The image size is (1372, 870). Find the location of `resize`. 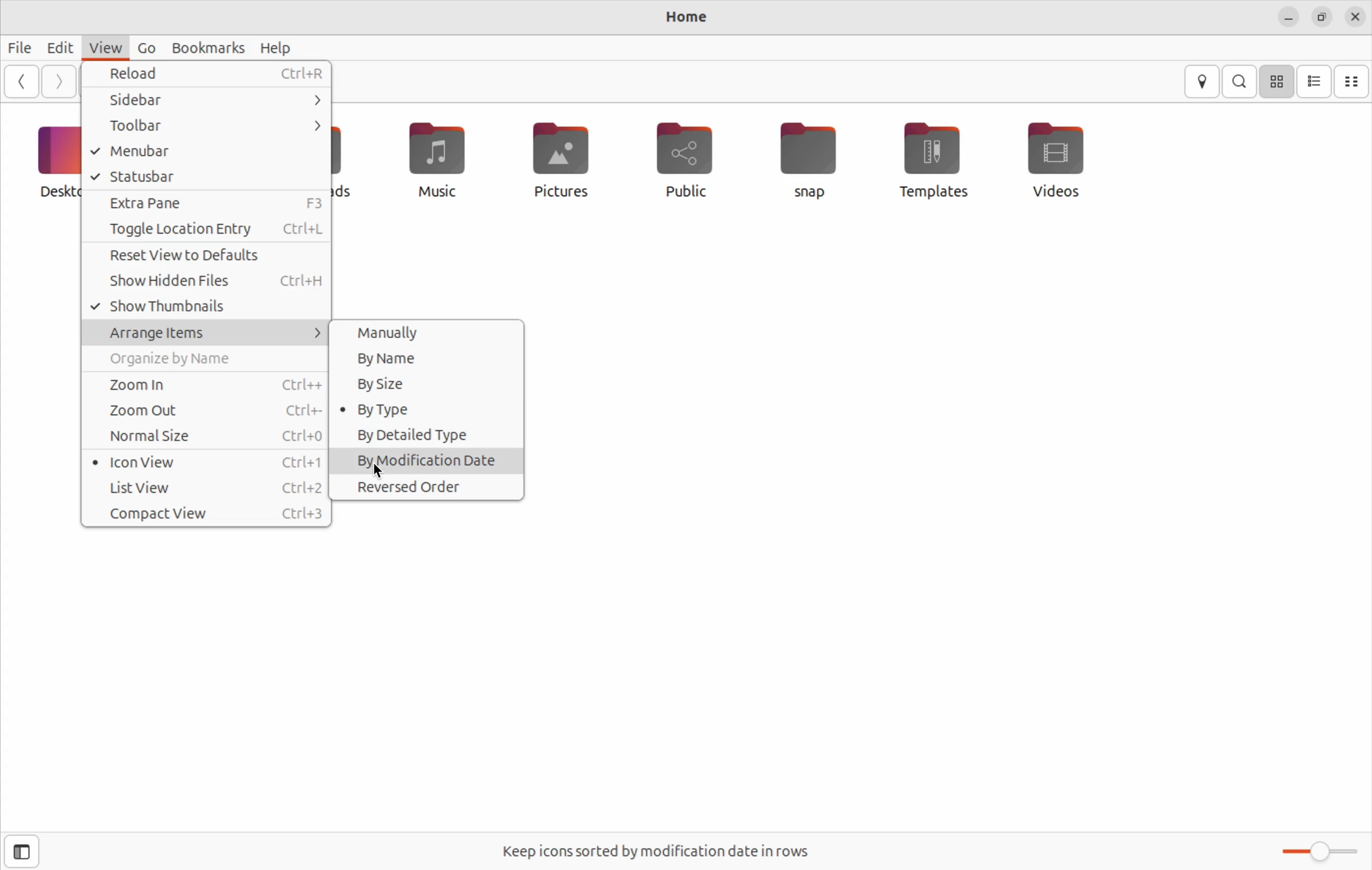

resize is located at coordinates (1320, 18).